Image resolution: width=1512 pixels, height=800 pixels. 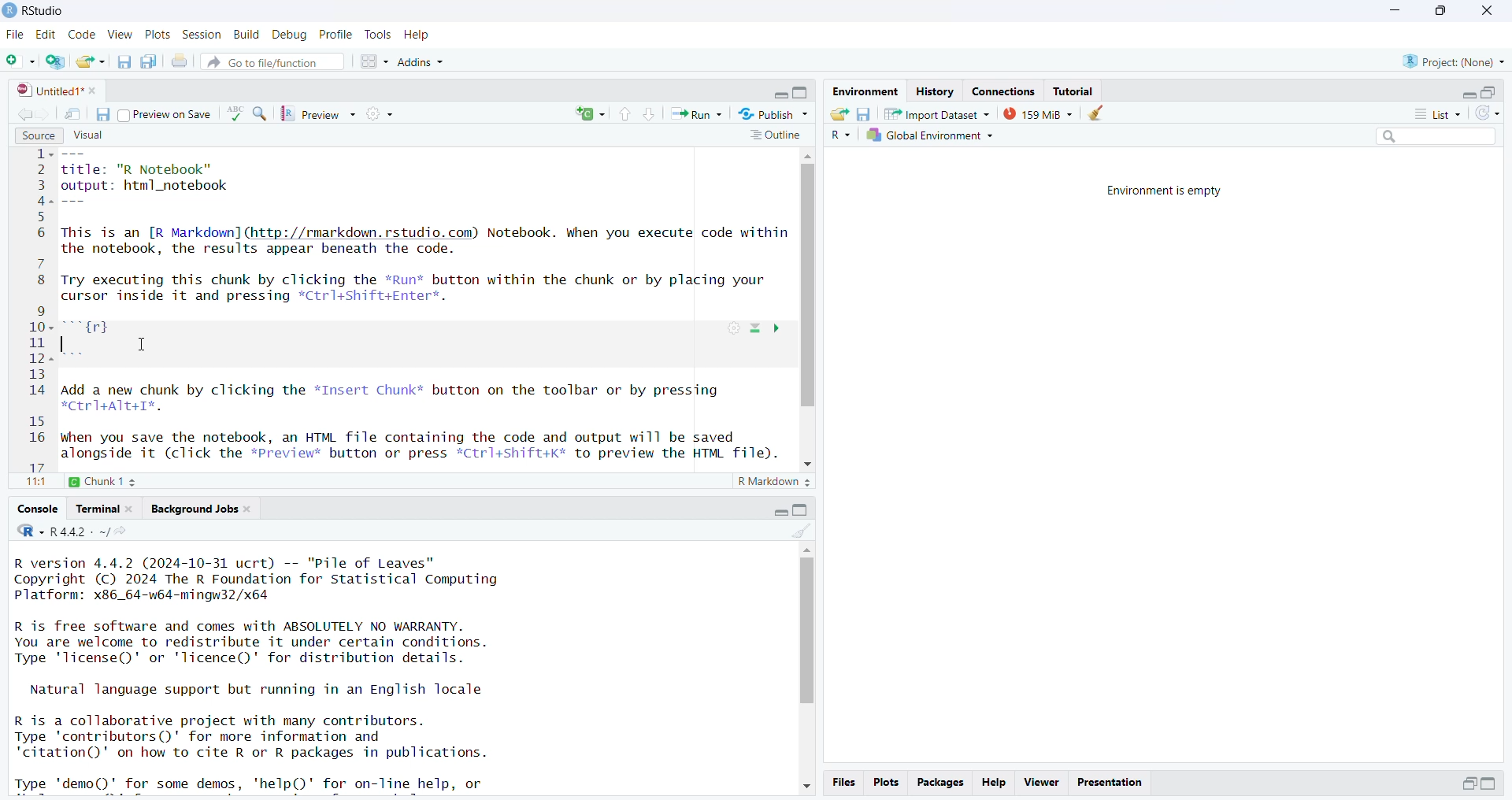 I want to click on collapse, so click(x=802, y=94).